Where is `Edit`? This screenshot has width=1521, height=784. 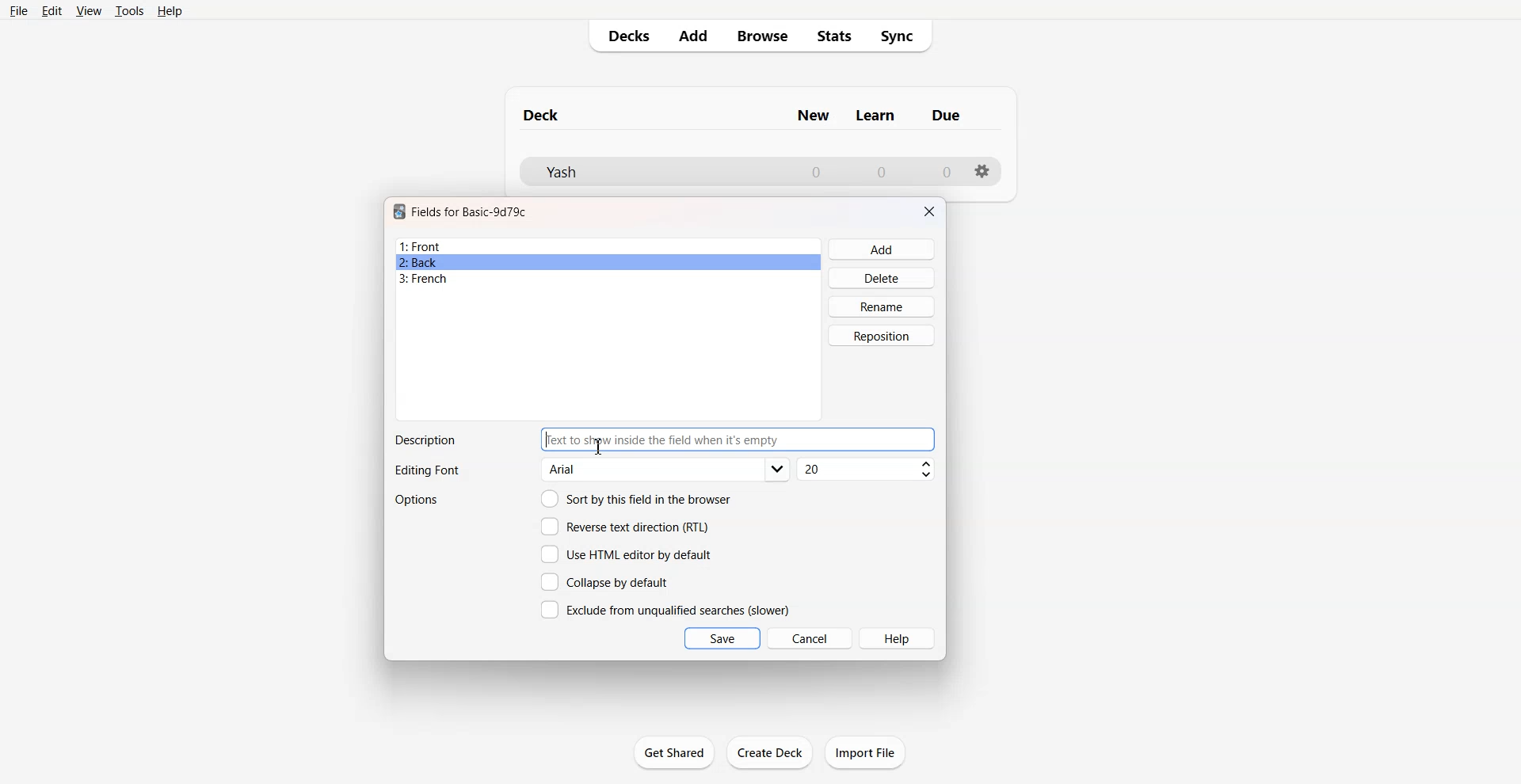
Edit is located at coordinates (51, 11).